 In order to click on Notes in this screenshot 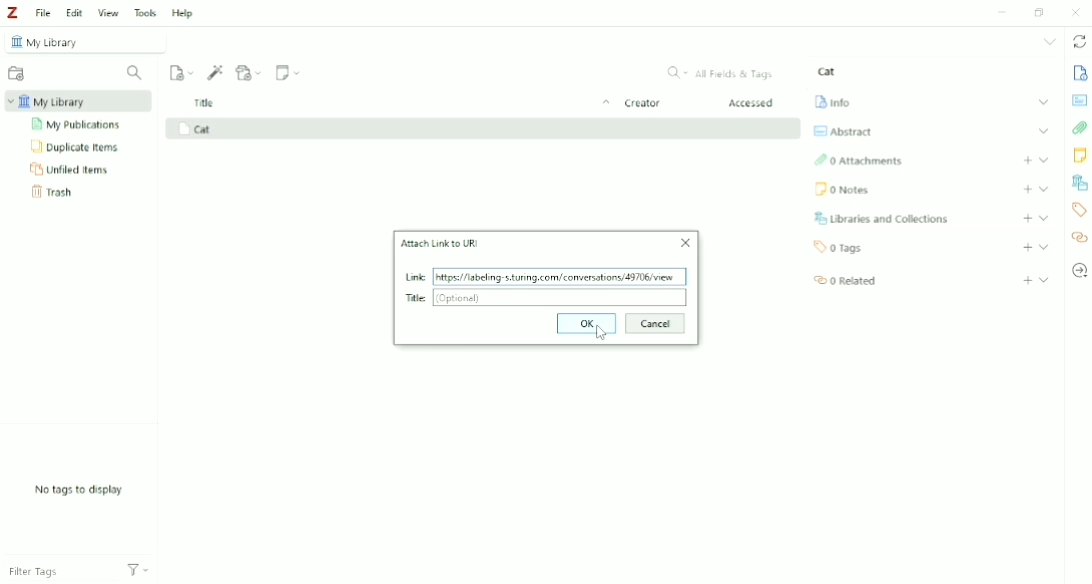, I will do `click(841, 189)`.